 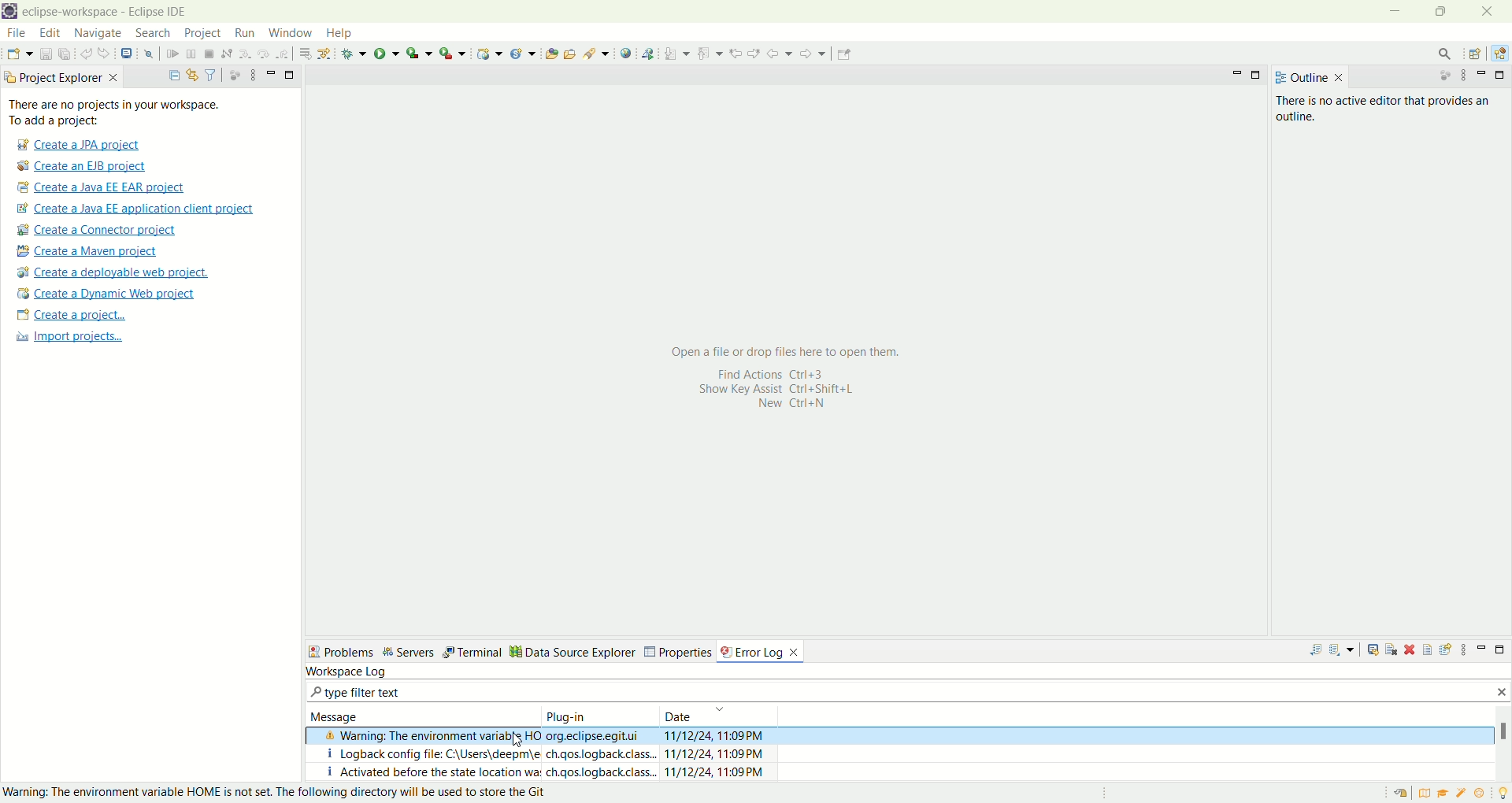 What do you see at coordinates (387, 52) in the screenshot?
I see `run` at bounding box center [387, 52].